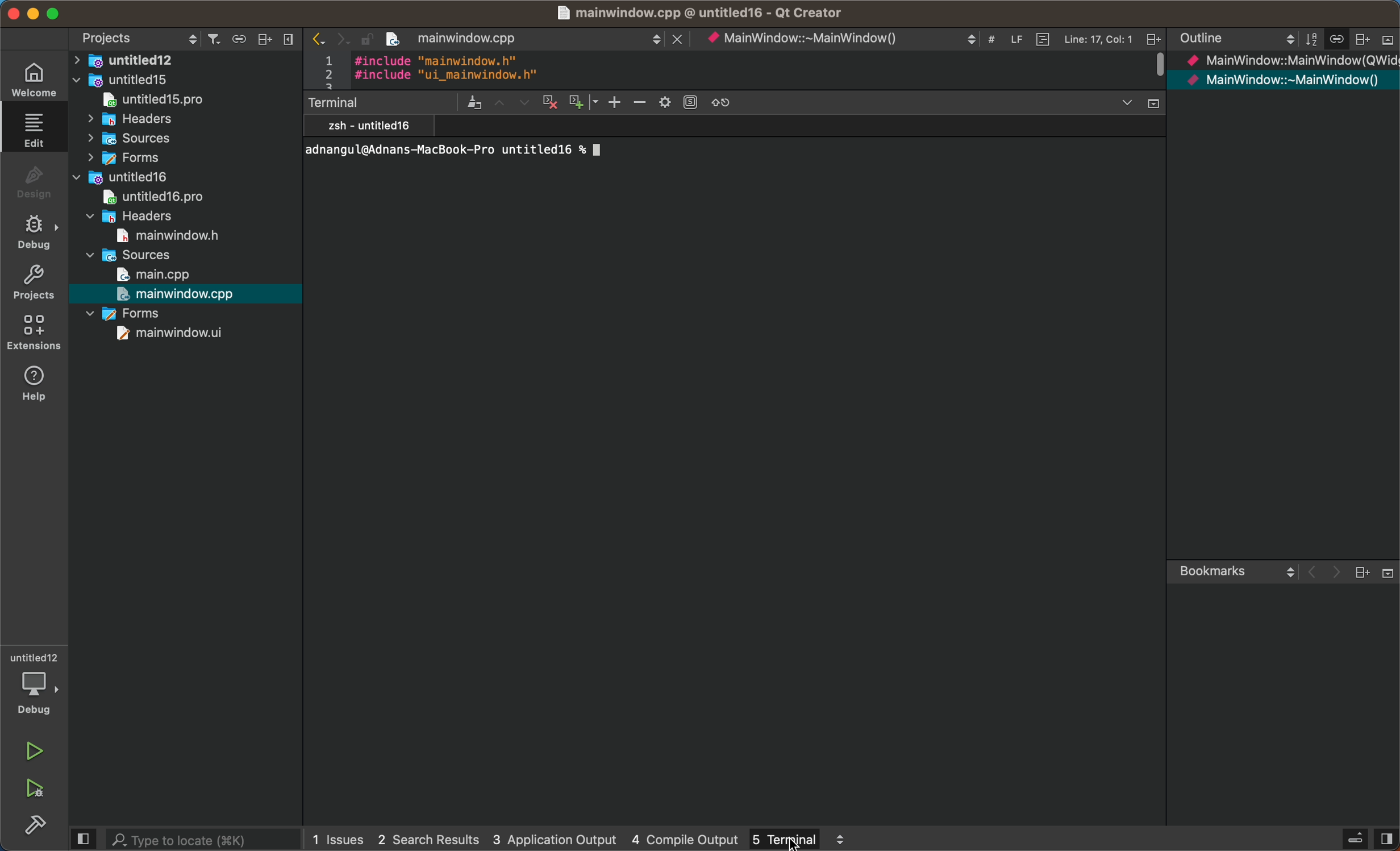 This screenshot has height=851, width=1400. I want to click on vertical scroll, so click(1155, 68).